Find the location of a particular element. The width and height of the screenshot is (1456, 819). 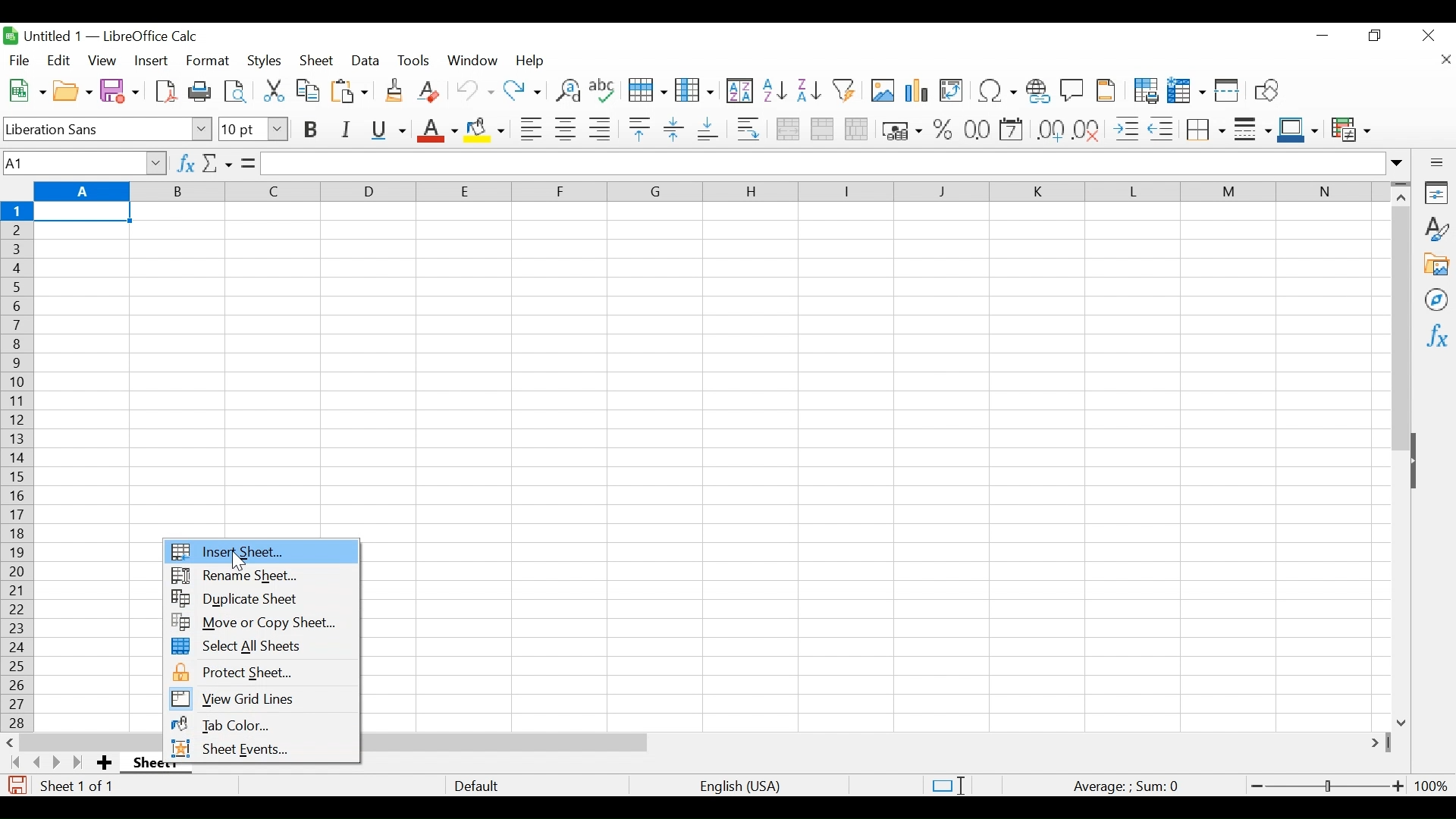

Paste is located at coordinates (349, 91).